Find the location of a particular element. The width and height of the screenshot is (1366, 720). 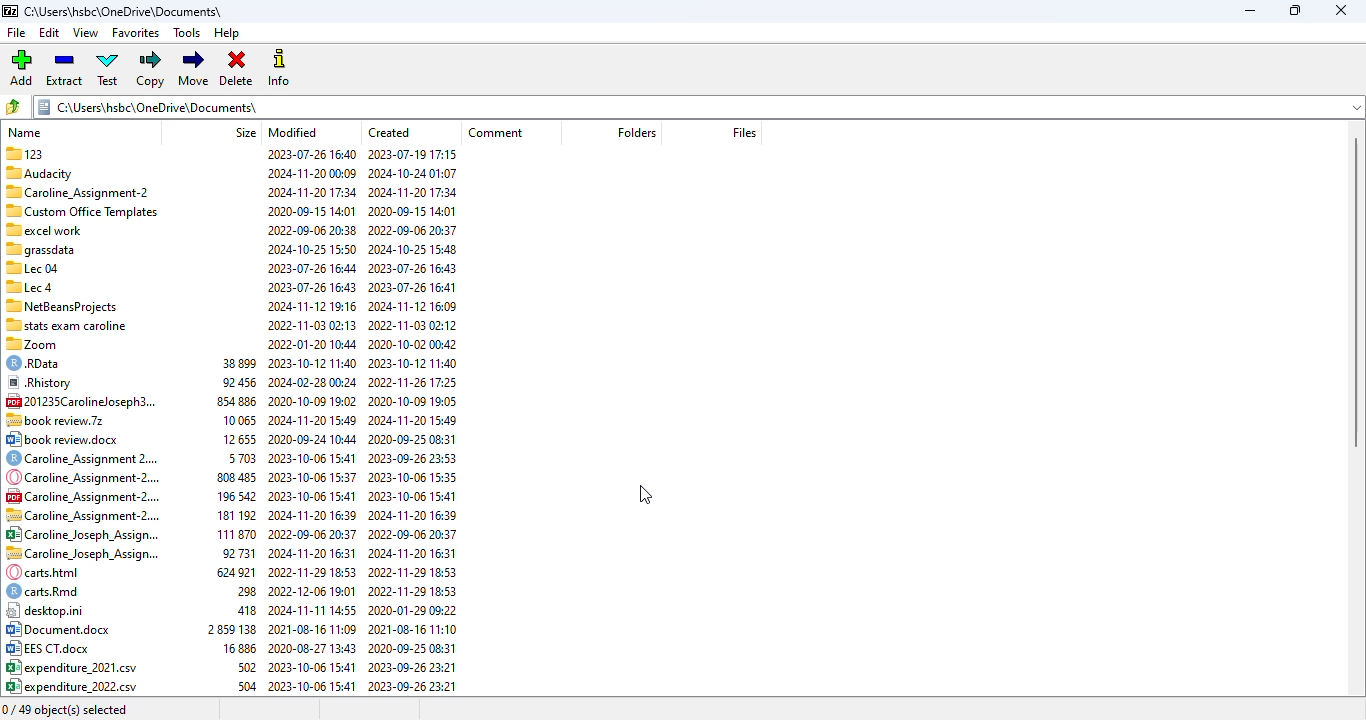

[4 201235Carolineloseph3. is located at coordinates (83, 400).